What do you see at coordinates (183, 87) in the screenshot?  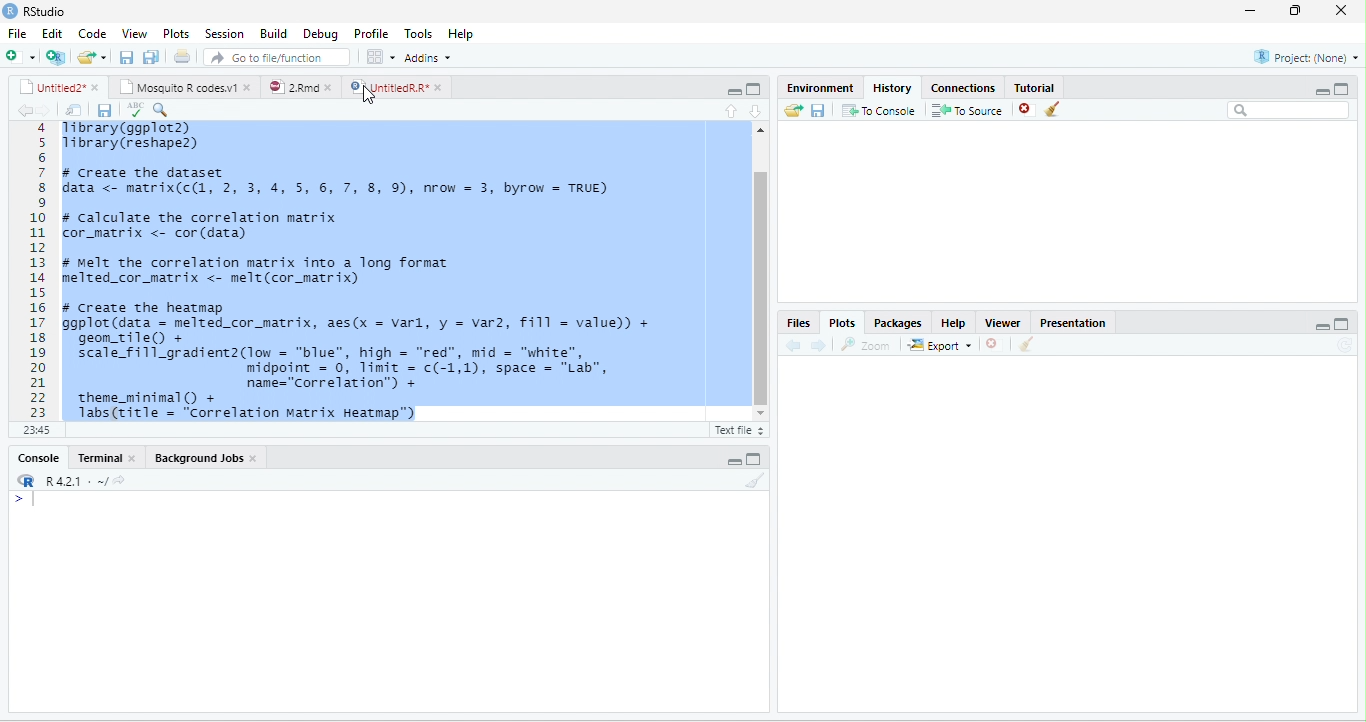 I see `mosquito R codes v1` at bounding box center [183, 87].